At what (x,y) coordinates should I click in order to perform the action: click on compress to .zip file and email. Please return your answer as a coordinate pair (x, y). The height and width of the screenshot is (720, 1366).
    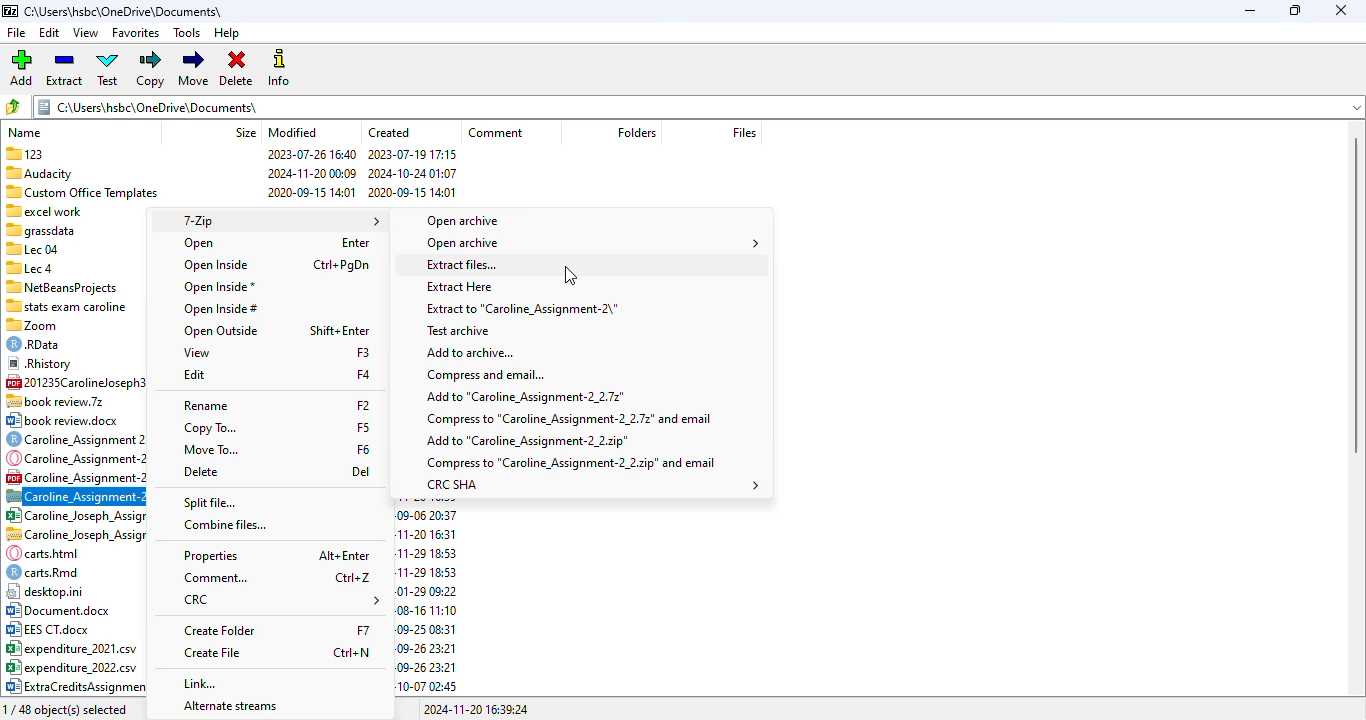
    Looking at the image, I should click on (572, 463).